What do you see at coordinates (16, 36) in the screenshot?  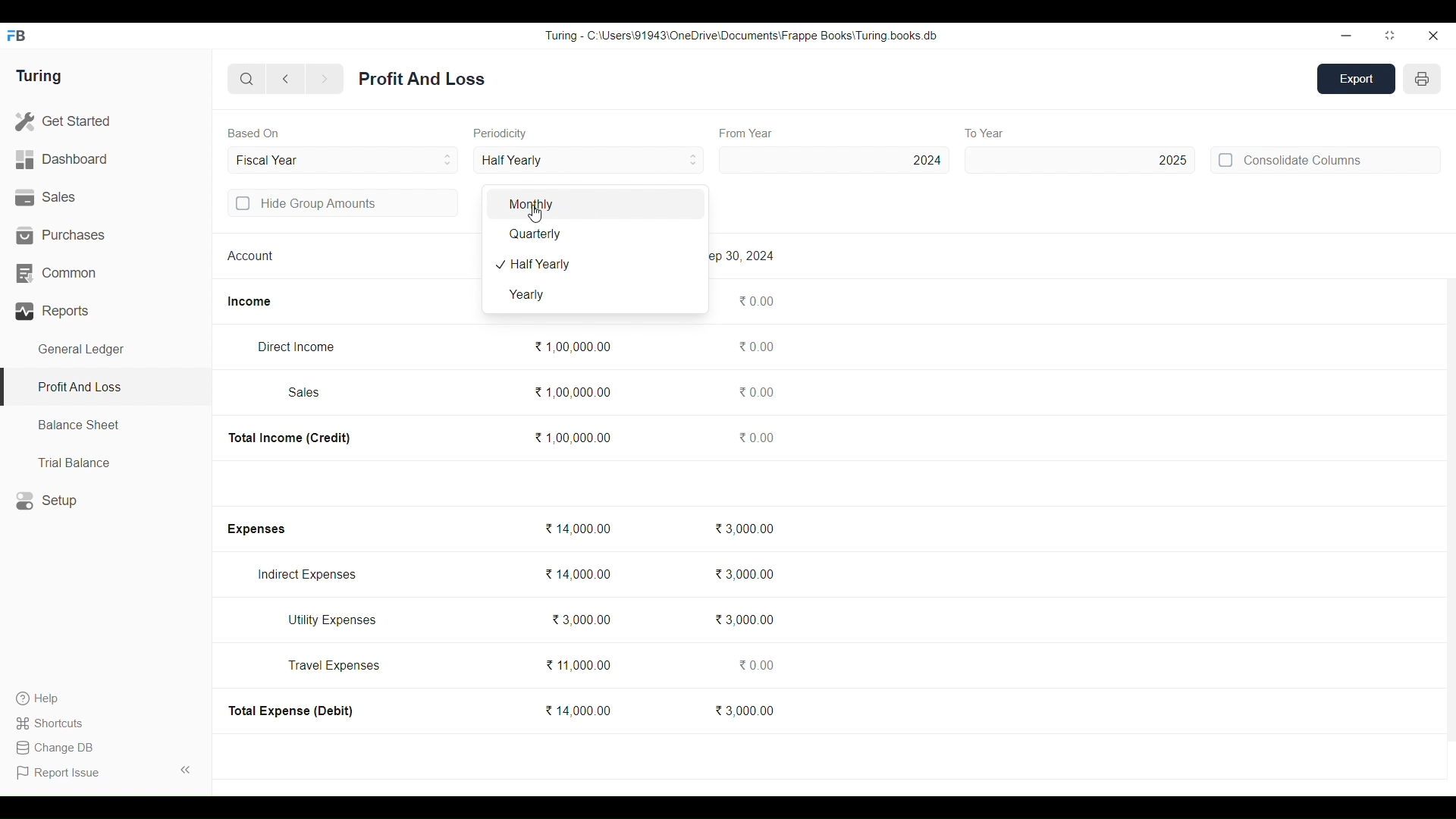 I see `Frappe Books logo` at bounding box center [16, 36].